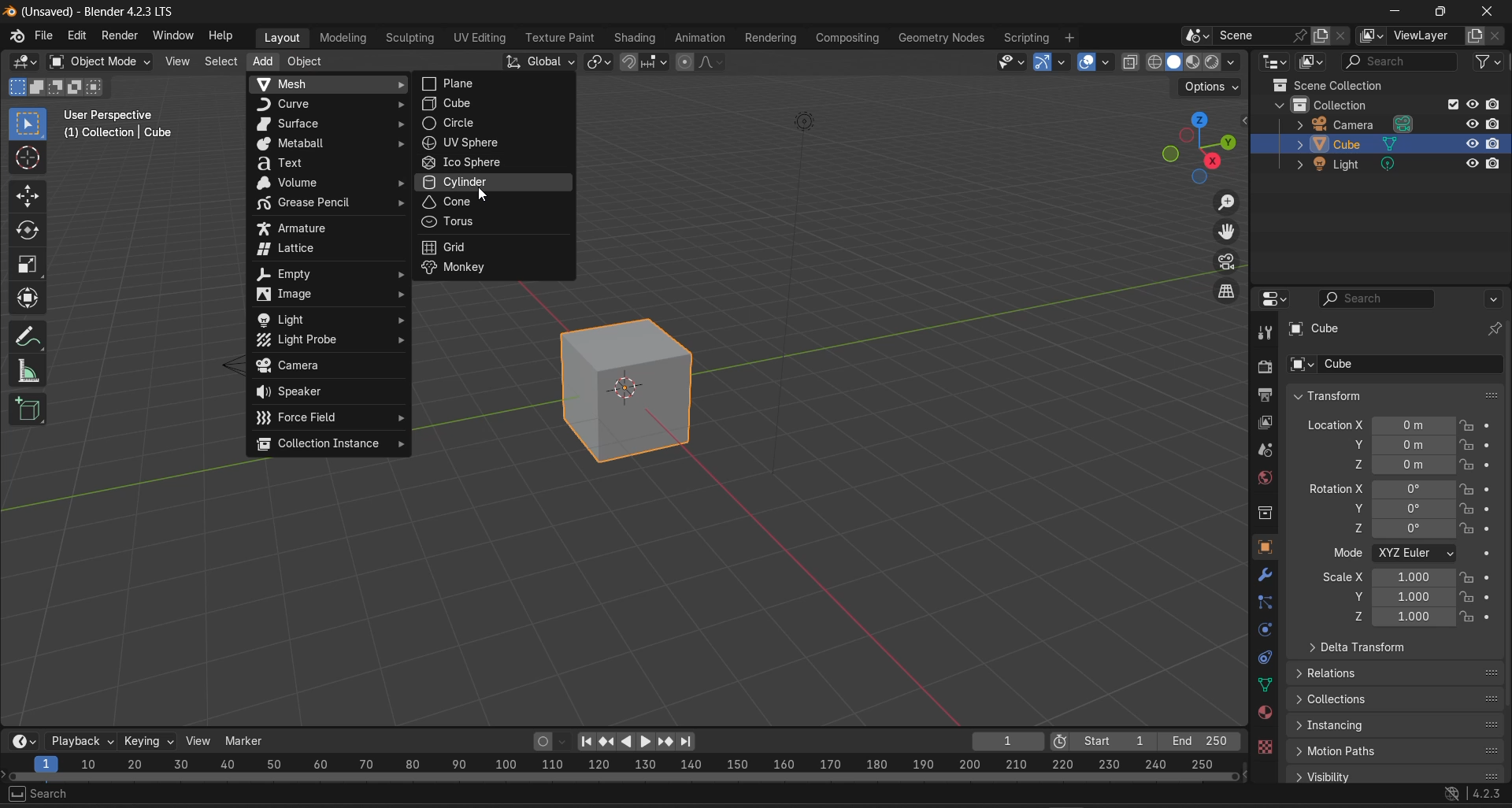  Describe the element at coordinates (495, 162) in the screenshot. I see `ico sphere` at that location.